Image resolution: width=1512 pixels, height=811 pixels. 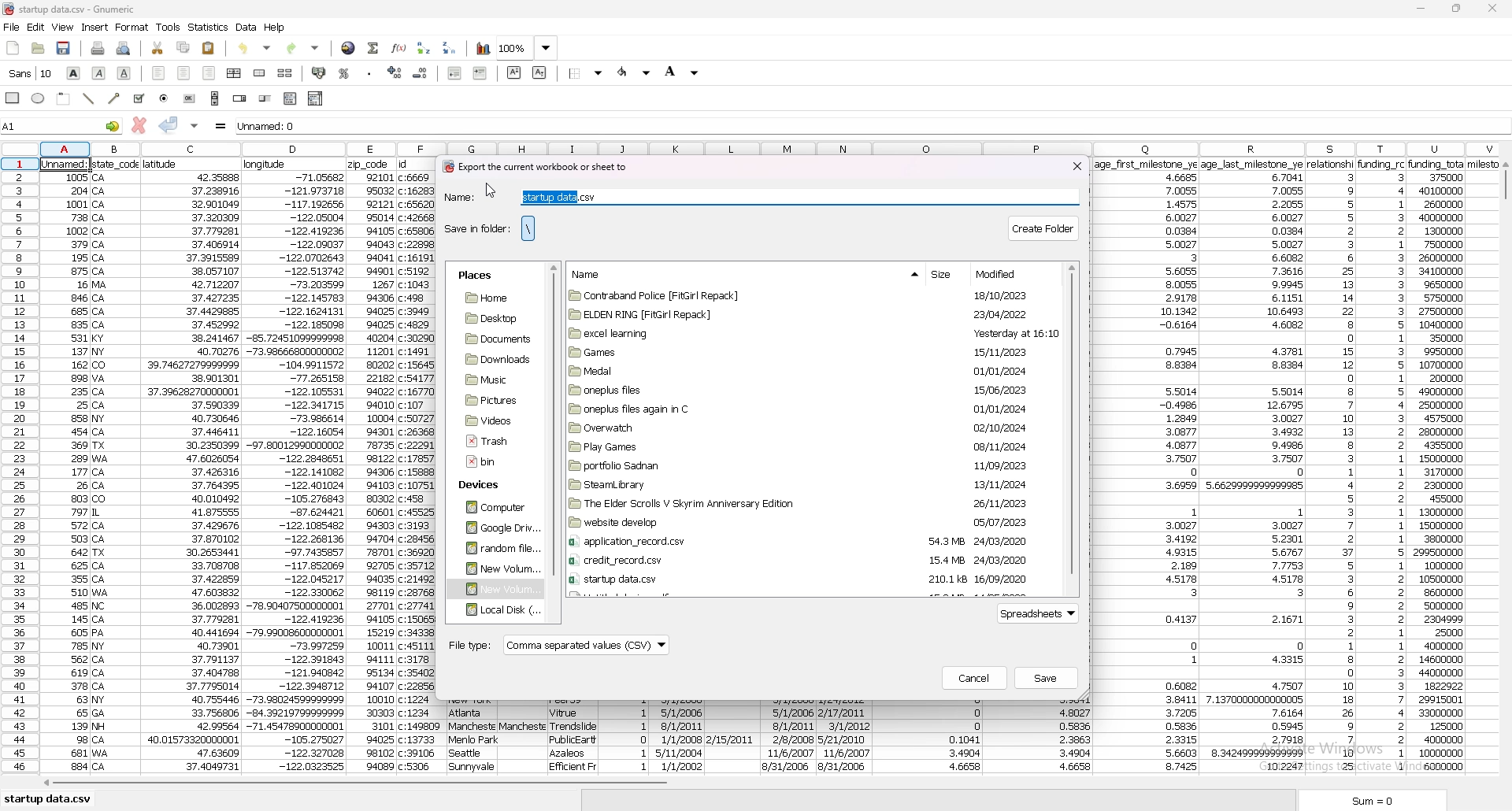 I want to click on folder, so click(x=808, y=351).